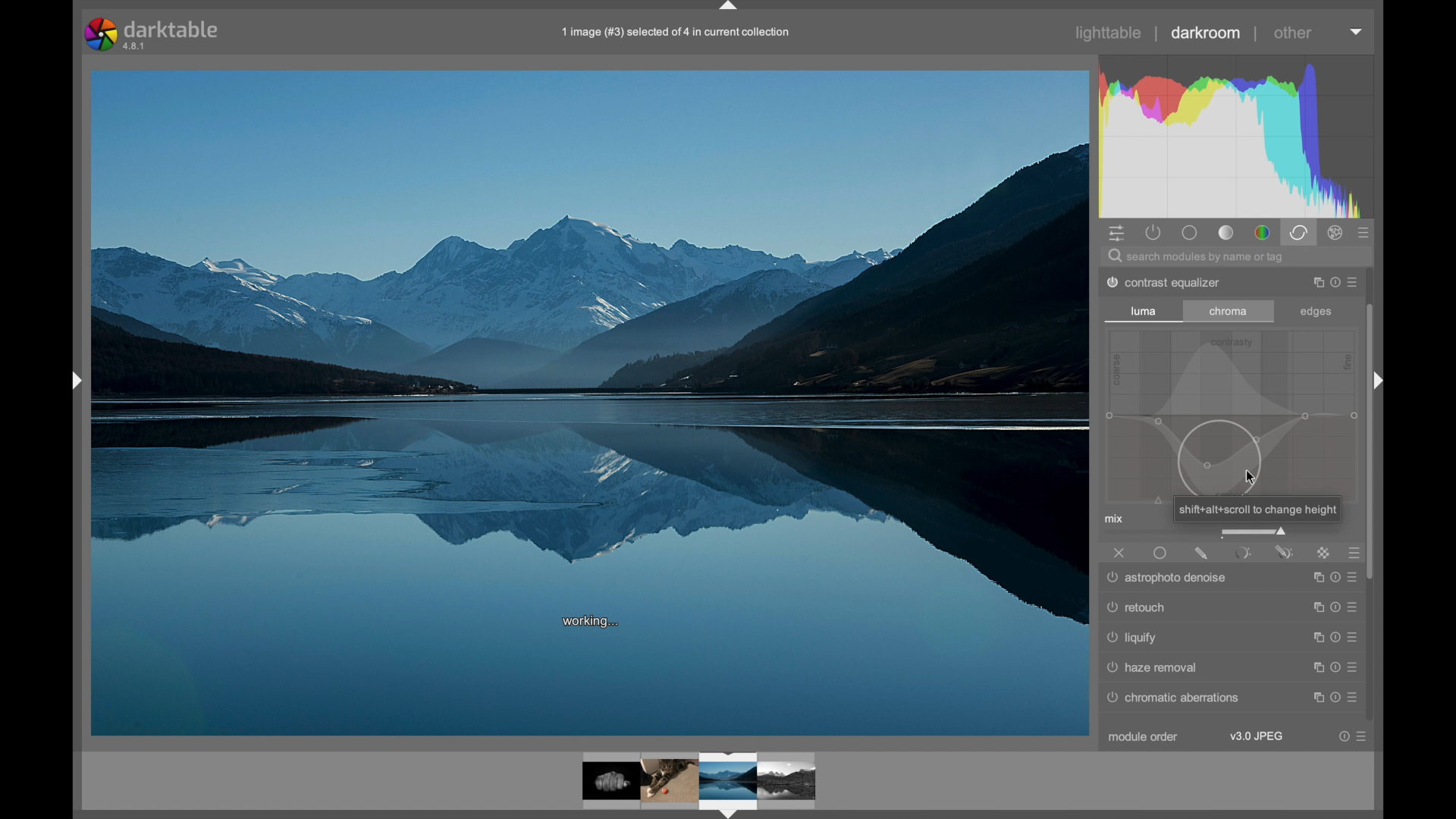 The width and height of the screenshot is (1456, 819). What do you see at coordinates (1293, 33) in the screenshot?
I see `other` at bounding box center [1293, 33].